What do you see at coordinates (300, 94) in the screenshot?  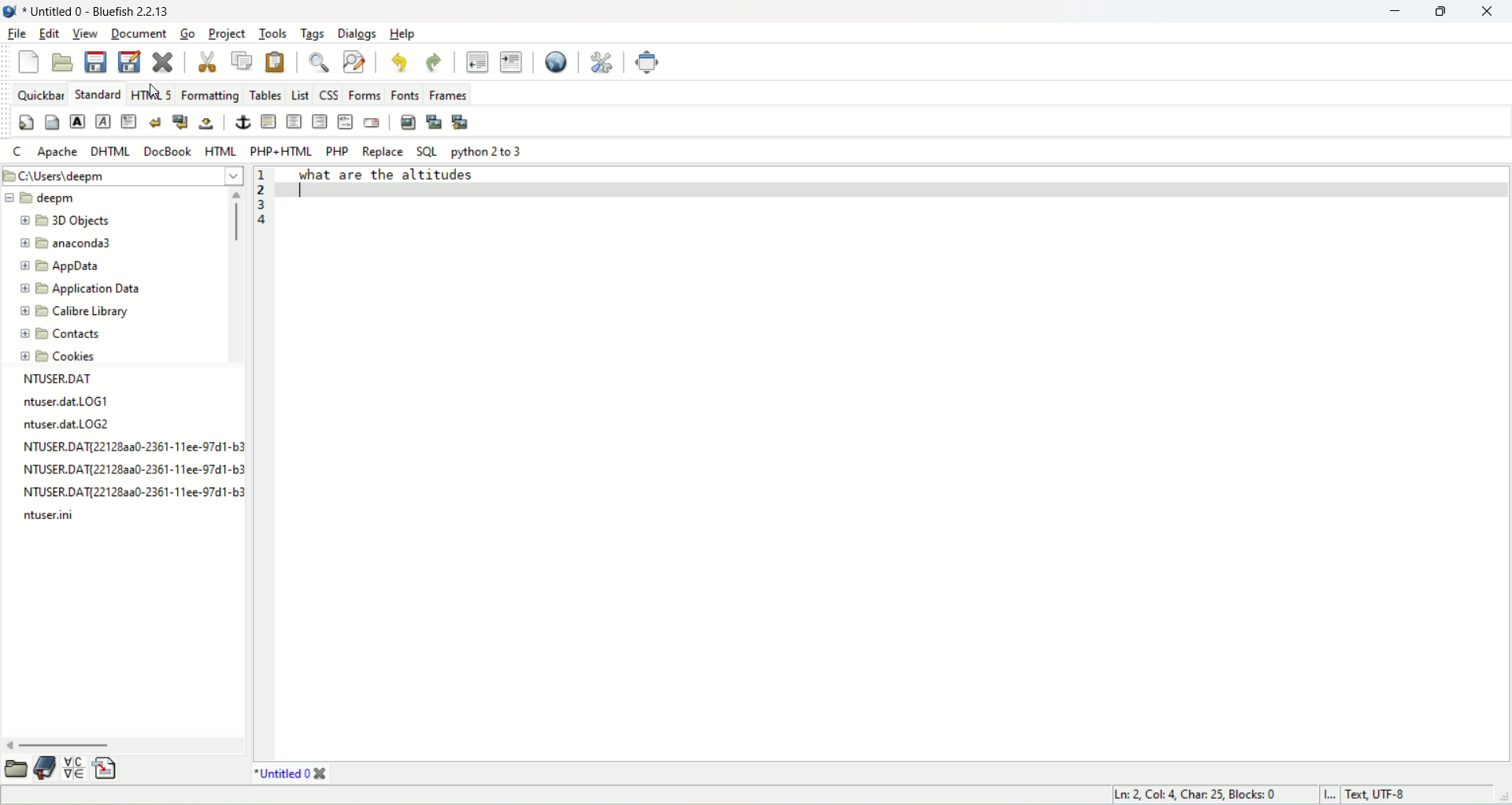 I see `list` at bounding box center [300, 94].